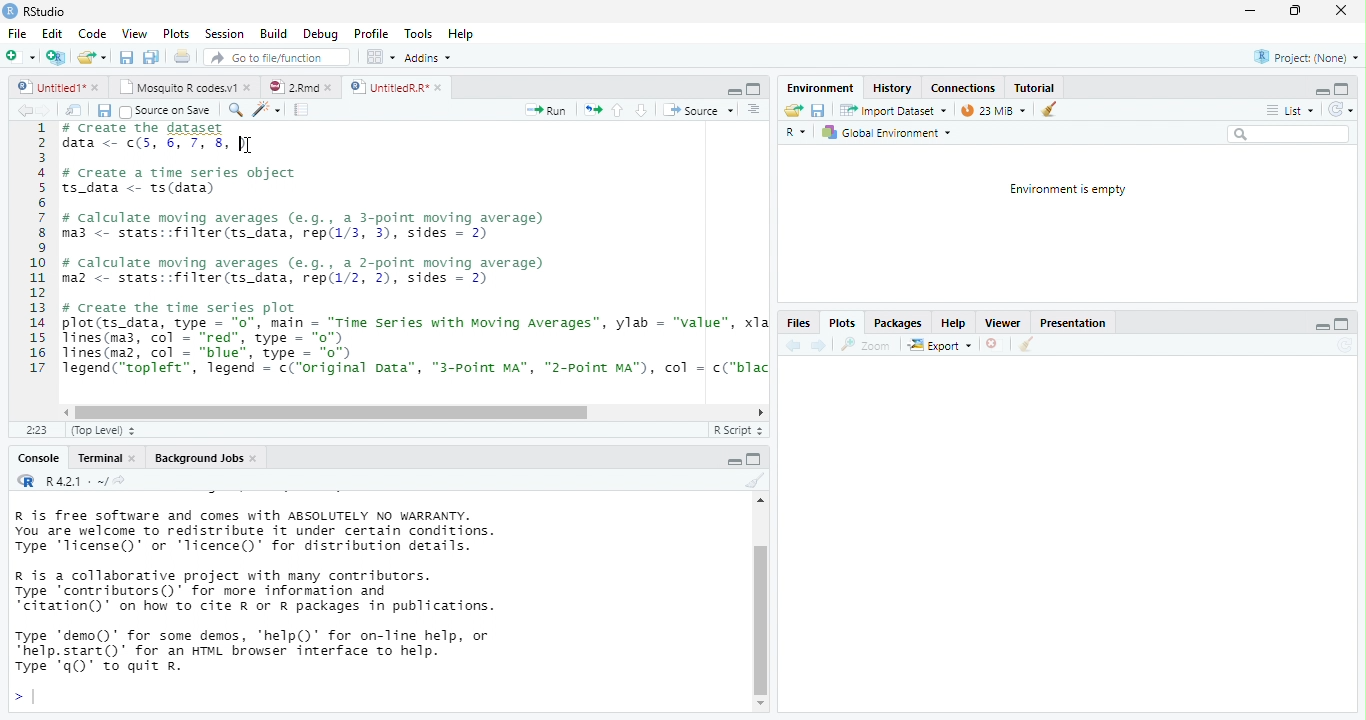  I want to click on search, so click(233, 110).